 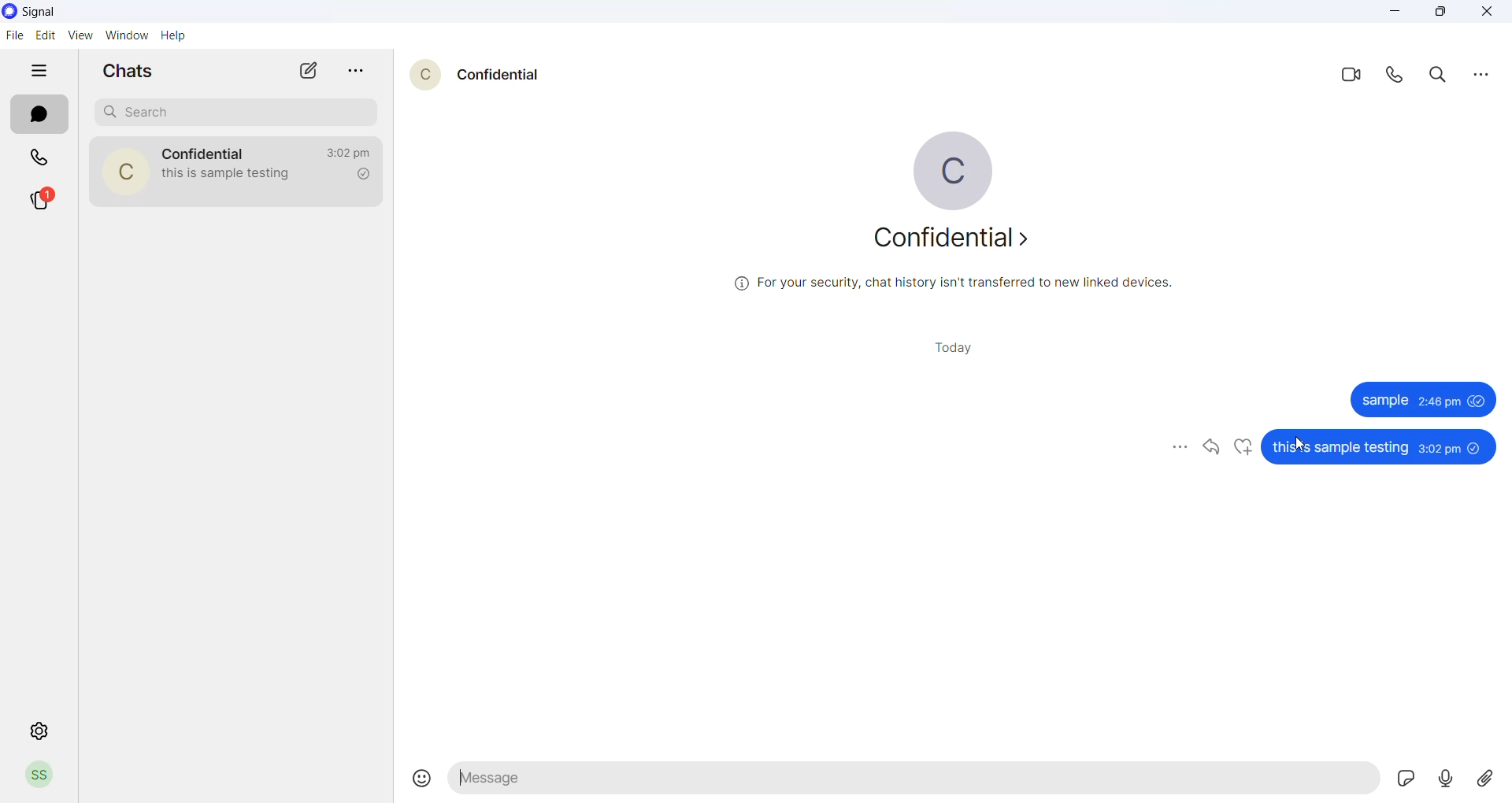 What do you see at coordinates (233, 111) in the screenshot?
I see `search box` at bounding box center [233, 111].